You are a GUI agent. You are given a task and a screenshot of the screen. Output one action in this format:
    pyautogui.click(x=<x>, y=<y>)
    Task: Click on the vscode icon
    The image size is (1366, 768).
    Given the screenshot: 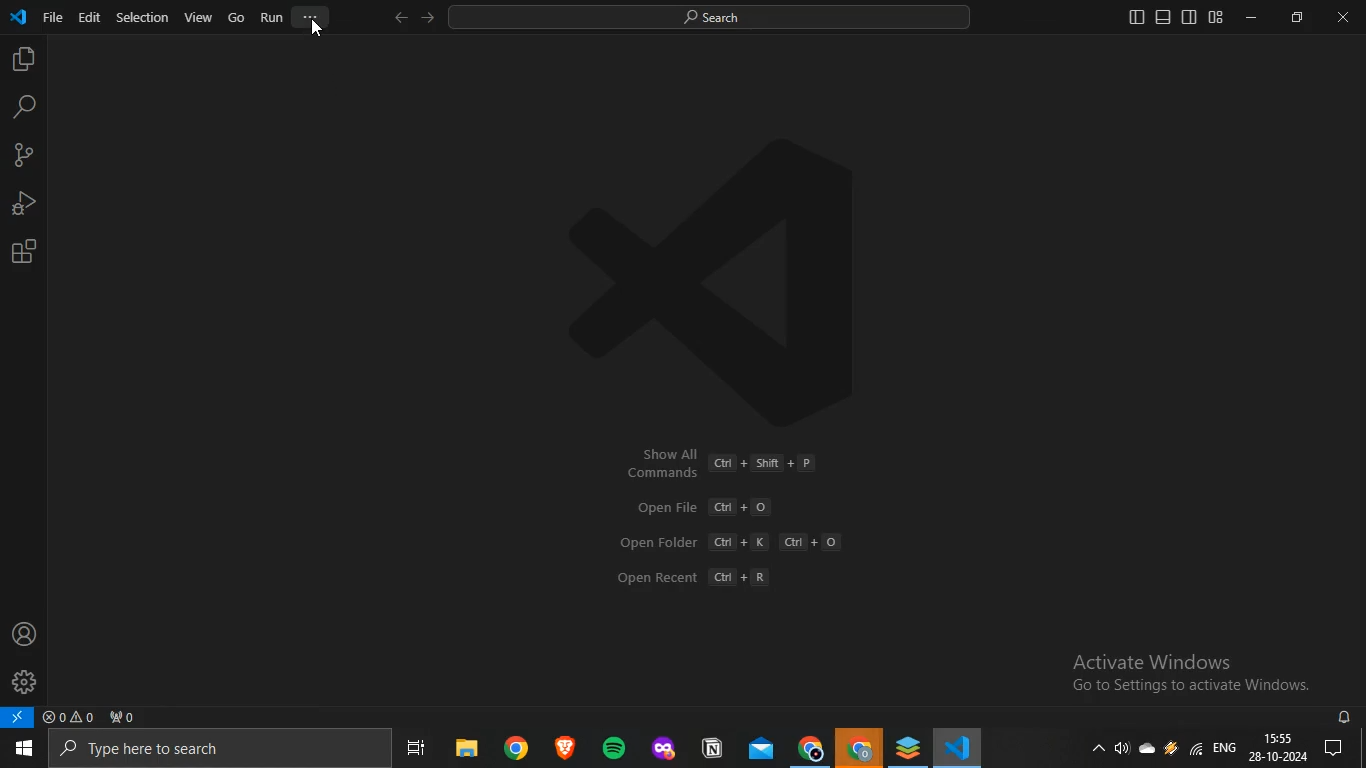 What is the action you would take?
    pyautogui.click(x=19, y=15)
    